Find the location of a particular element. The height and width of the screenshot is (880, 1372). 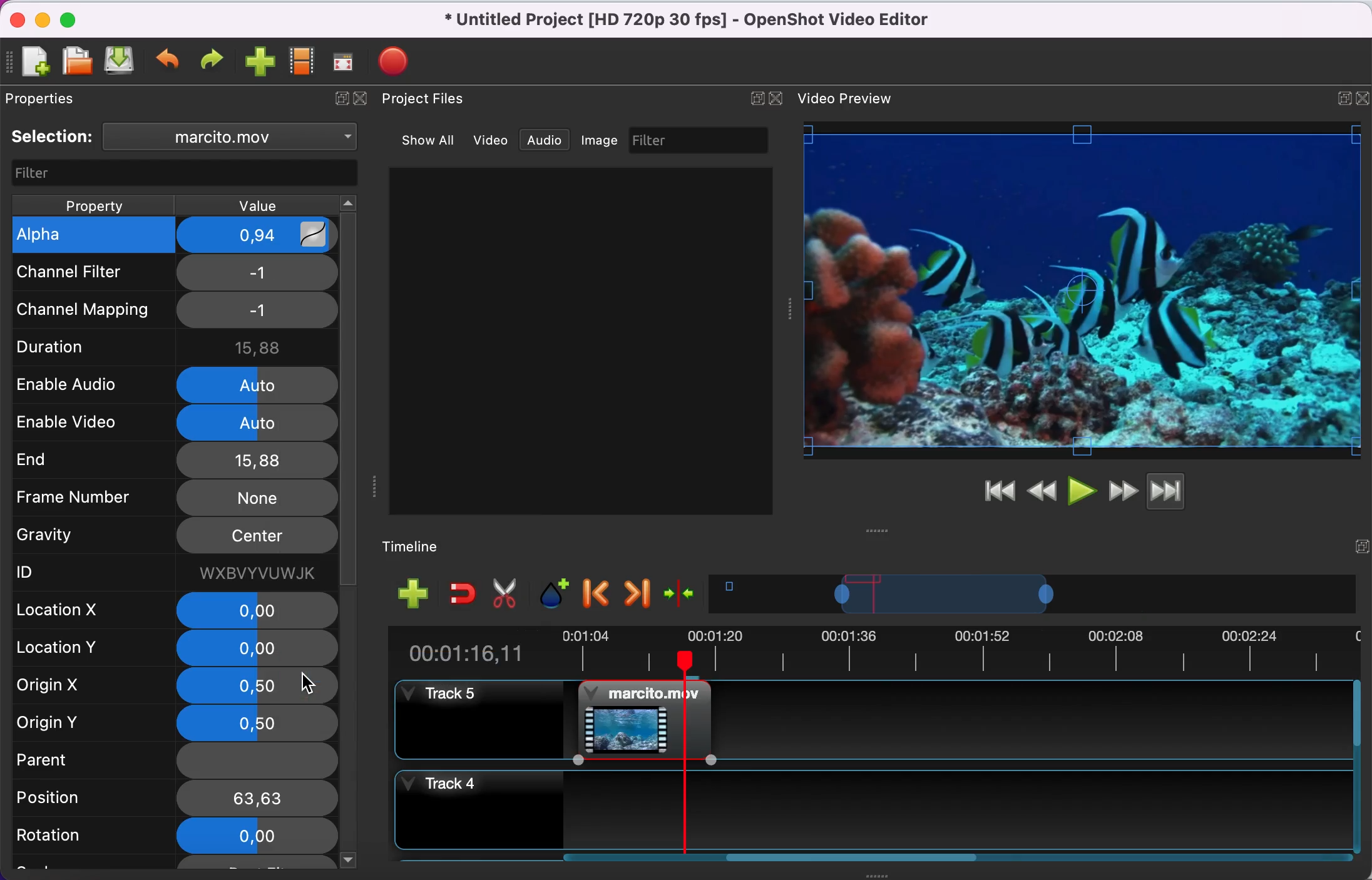

63,63 is located at coordinates (257, 797).